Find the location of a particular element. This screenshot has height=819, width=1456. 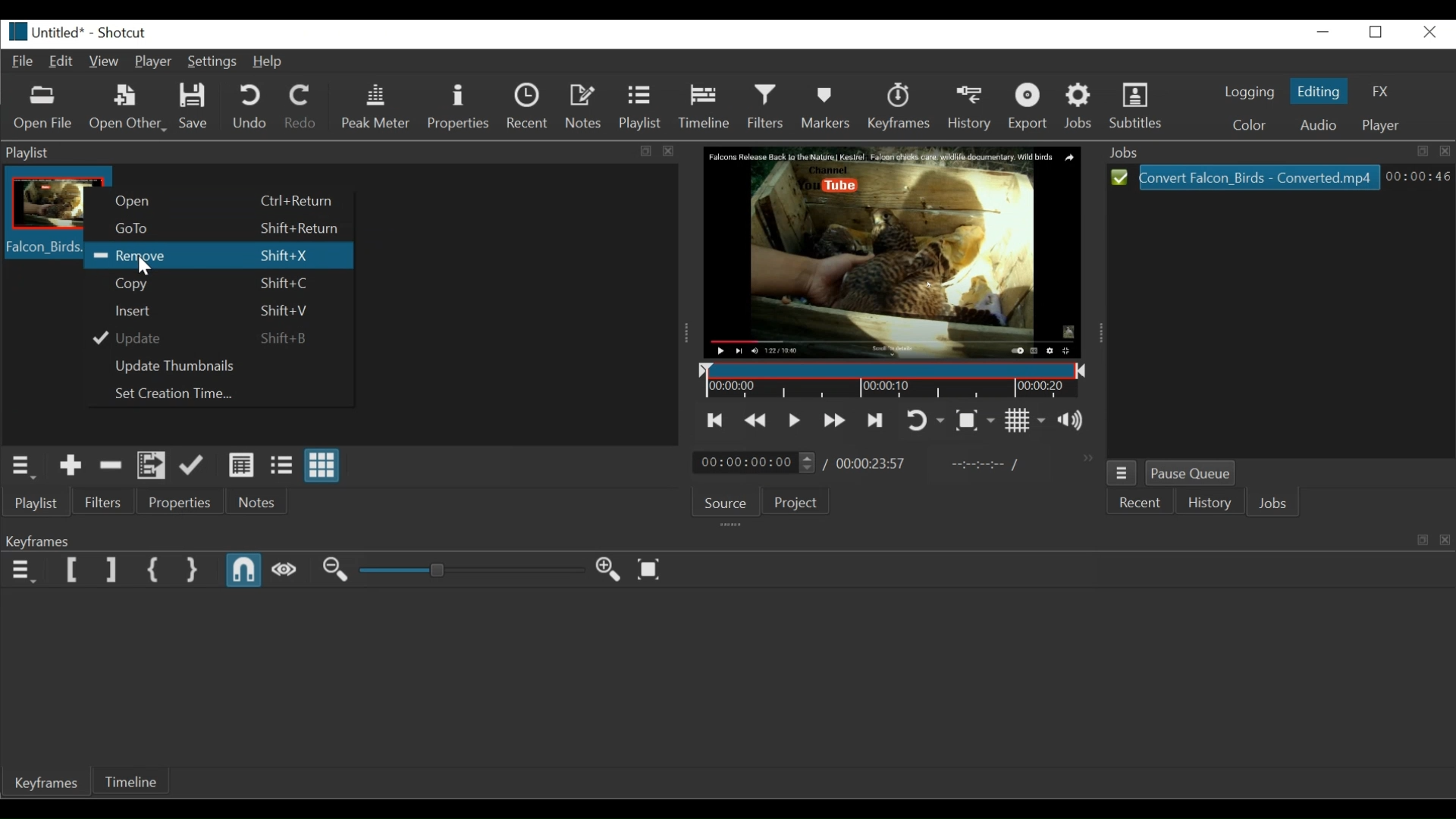

close is located at coordinates (678, 155).